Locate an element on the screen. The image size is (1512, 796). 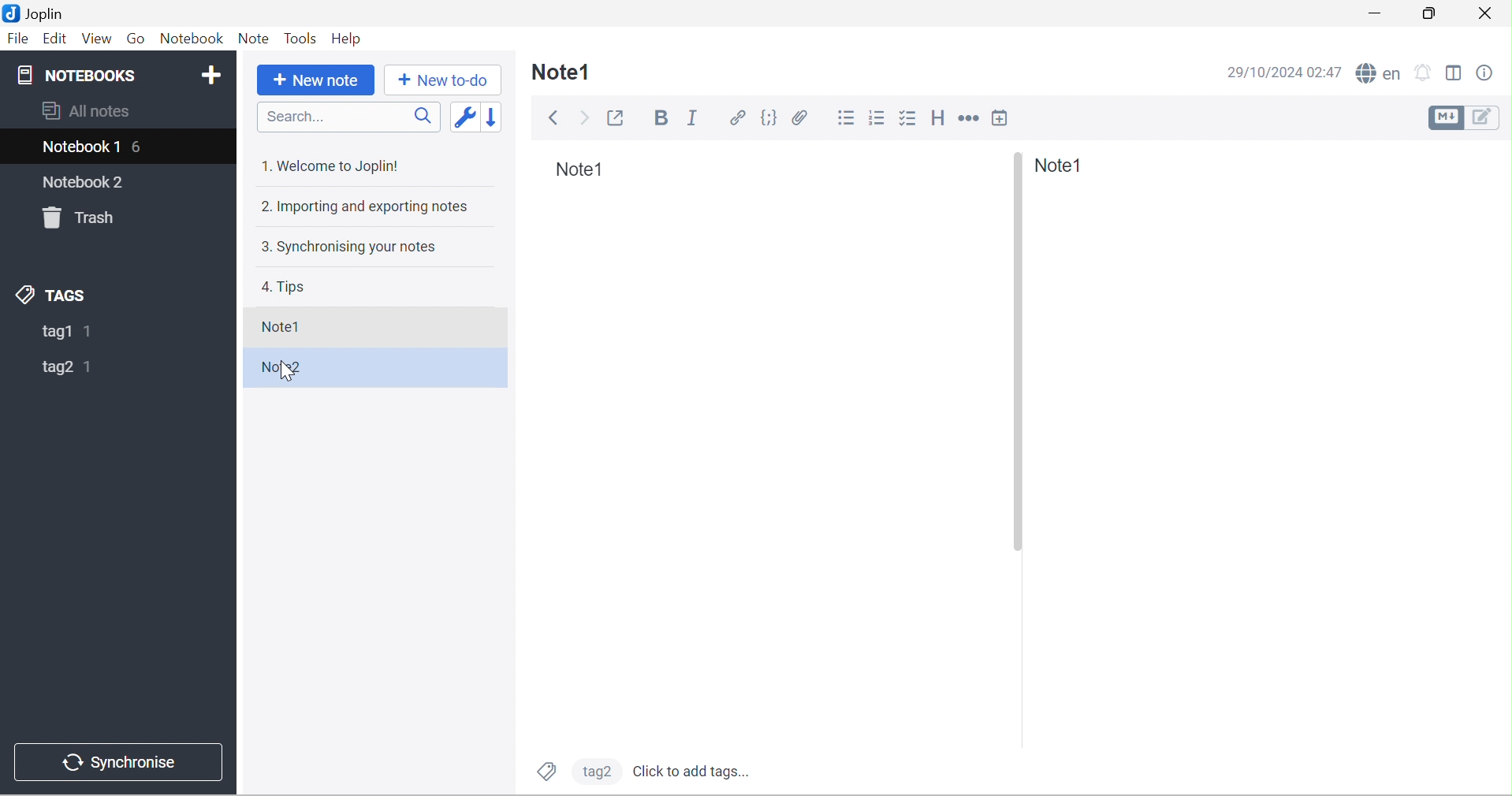
Bold is located at coordinates (659, 119).